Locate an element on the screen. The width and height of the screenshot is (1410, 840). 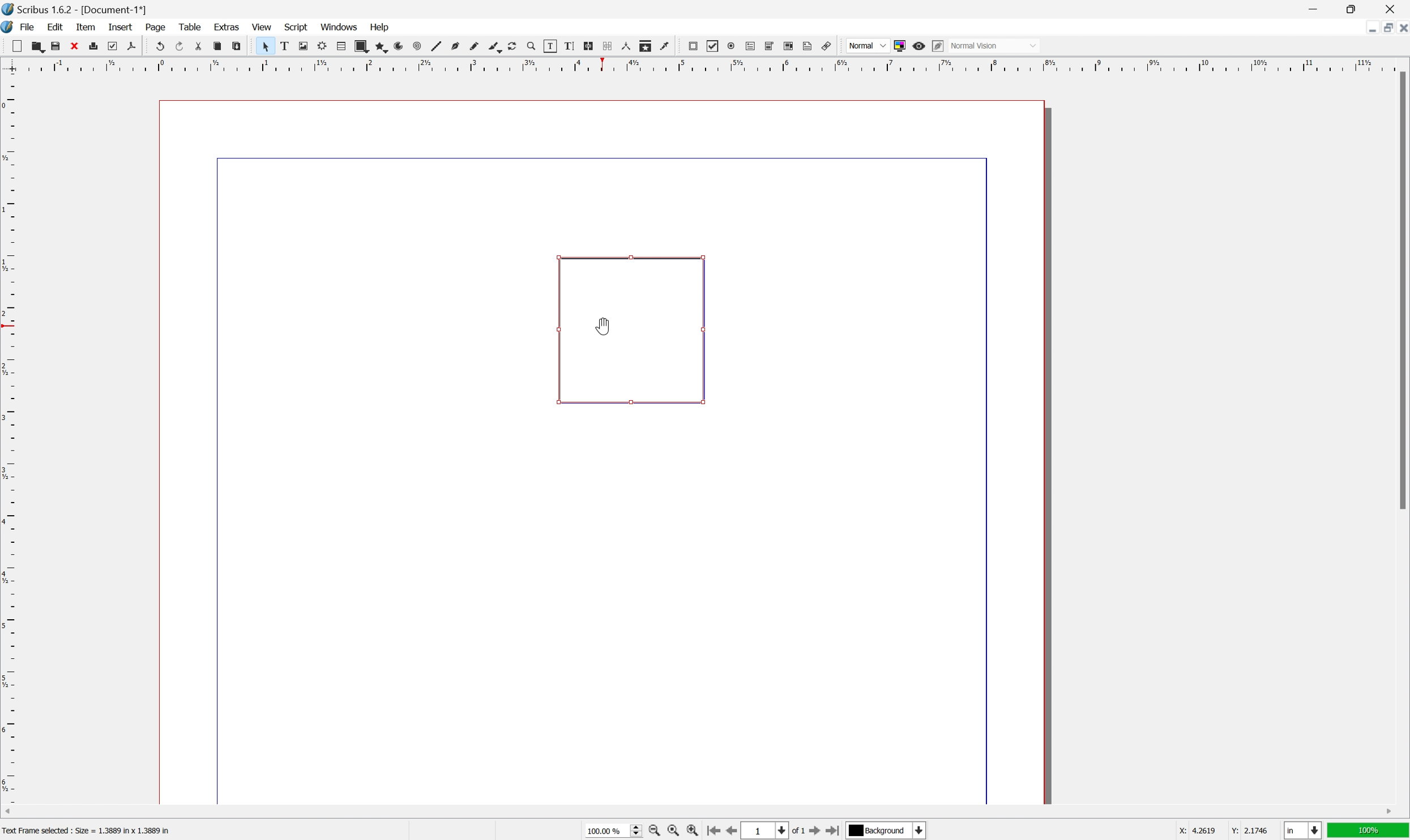
select item is located at coordinates (266, 46).